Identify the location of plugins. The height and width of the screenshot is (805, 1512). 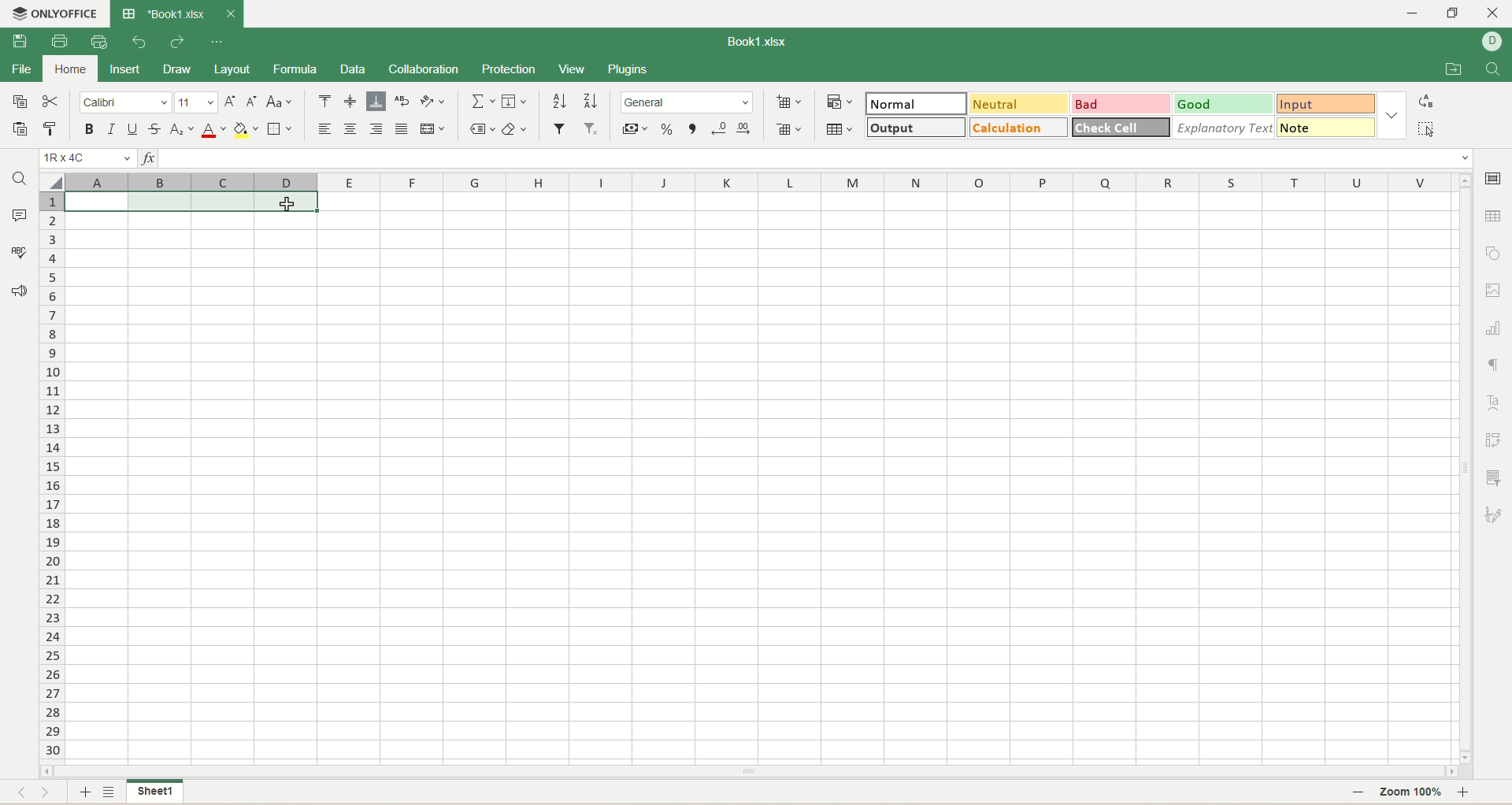
(627, 69).